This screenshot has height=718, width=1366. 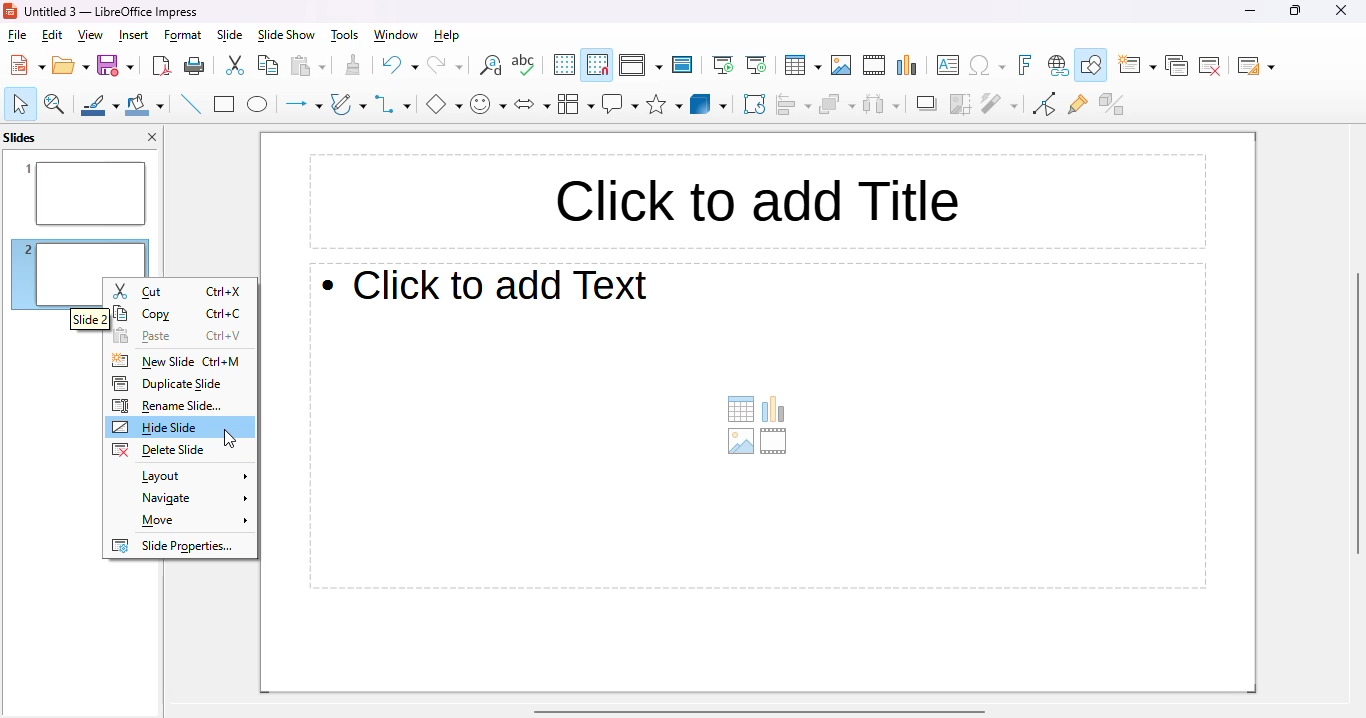 I want to click on logo, so click(x=10, y=11).